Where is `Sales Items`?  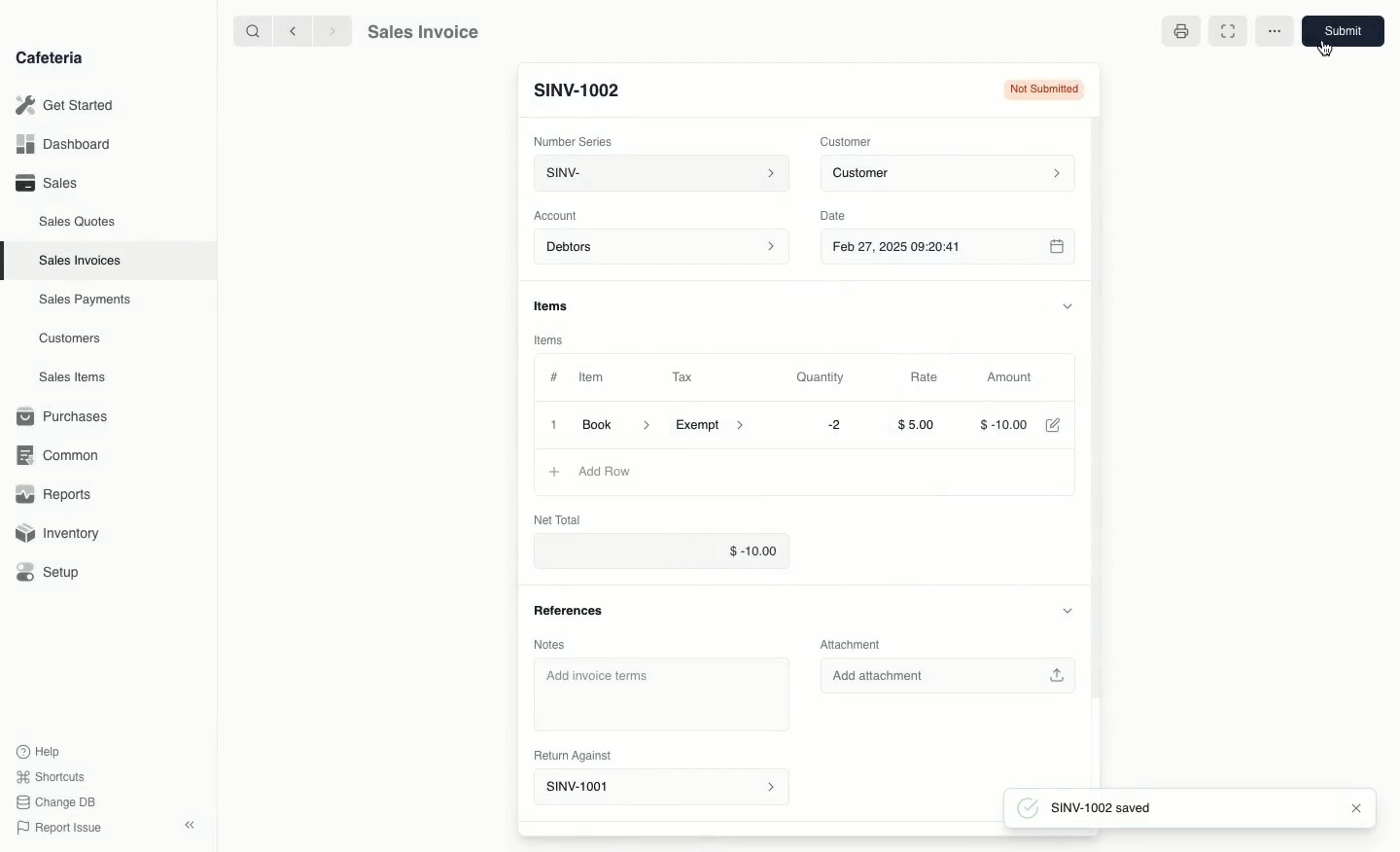
Sales Items is located at coordinates (72, 377).